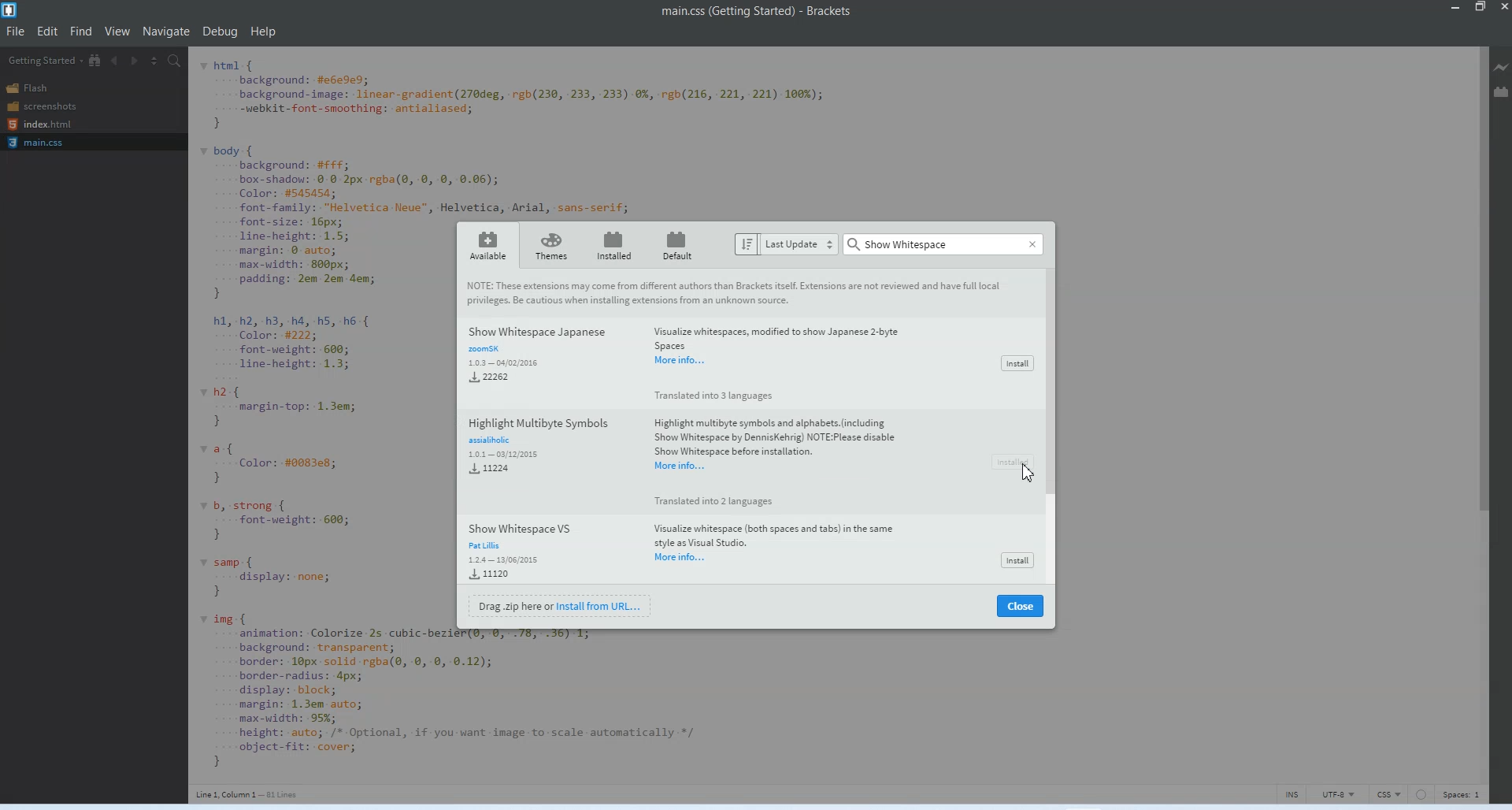 Image resolution: width=1512 pixels, height=810 pixels. I want to click on INS, so click(1293, 793).